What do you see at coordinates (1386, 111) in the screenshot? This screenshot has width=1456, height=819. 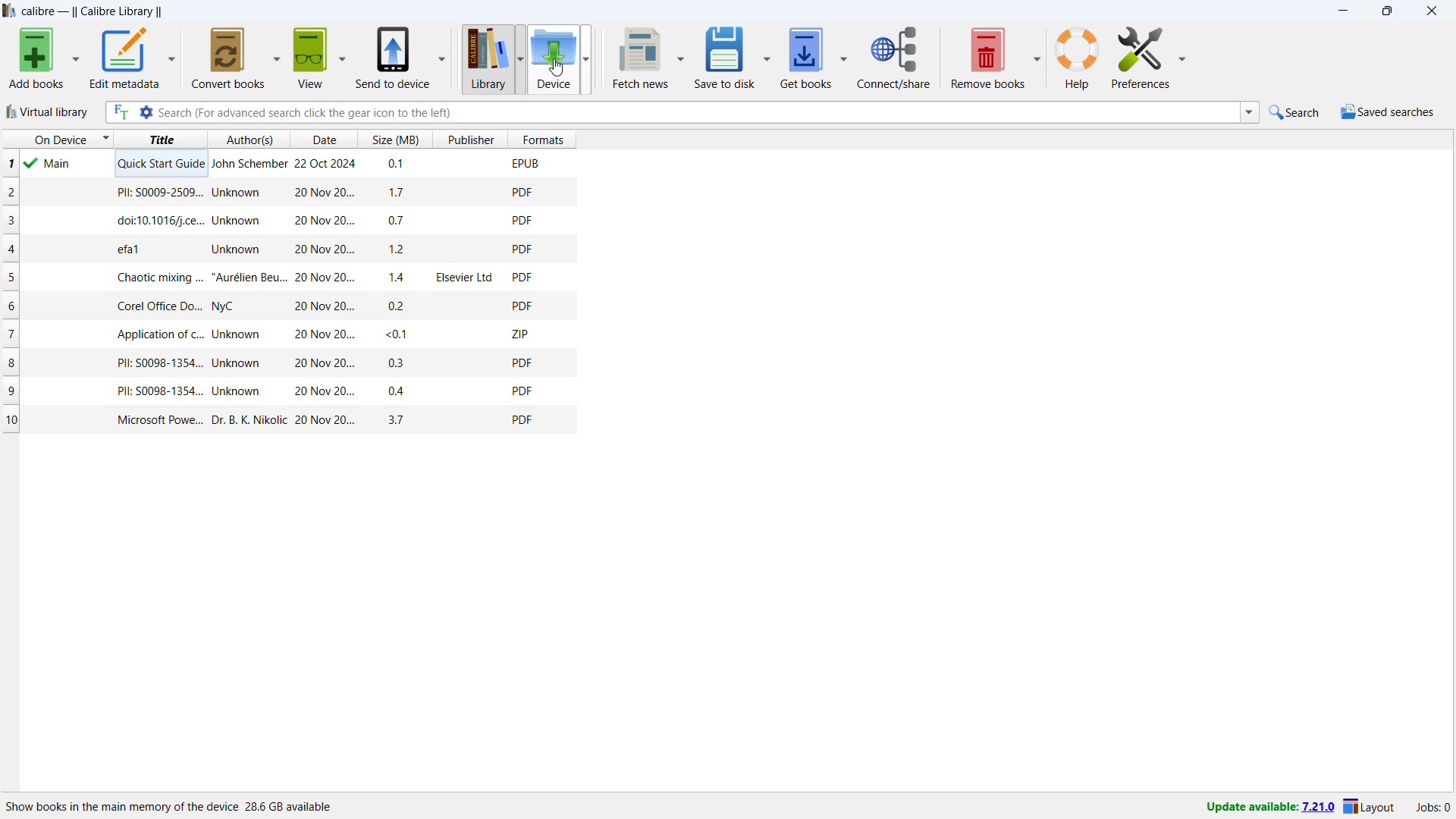 I see `saved searches` at bounding box center [1386, 111].